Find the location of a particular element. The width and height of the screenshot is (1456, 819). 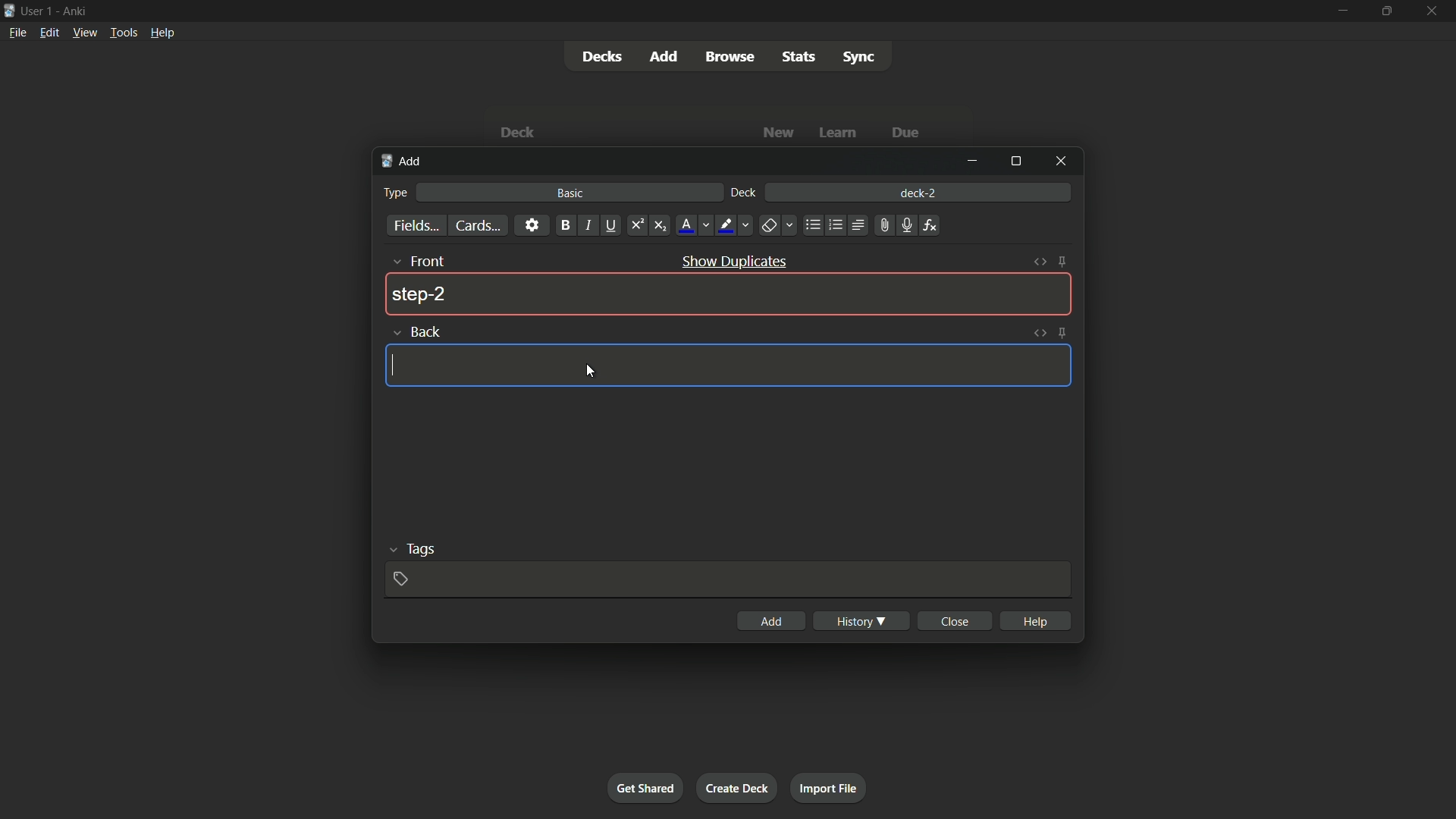

equations is located at coordinates (932, 226).